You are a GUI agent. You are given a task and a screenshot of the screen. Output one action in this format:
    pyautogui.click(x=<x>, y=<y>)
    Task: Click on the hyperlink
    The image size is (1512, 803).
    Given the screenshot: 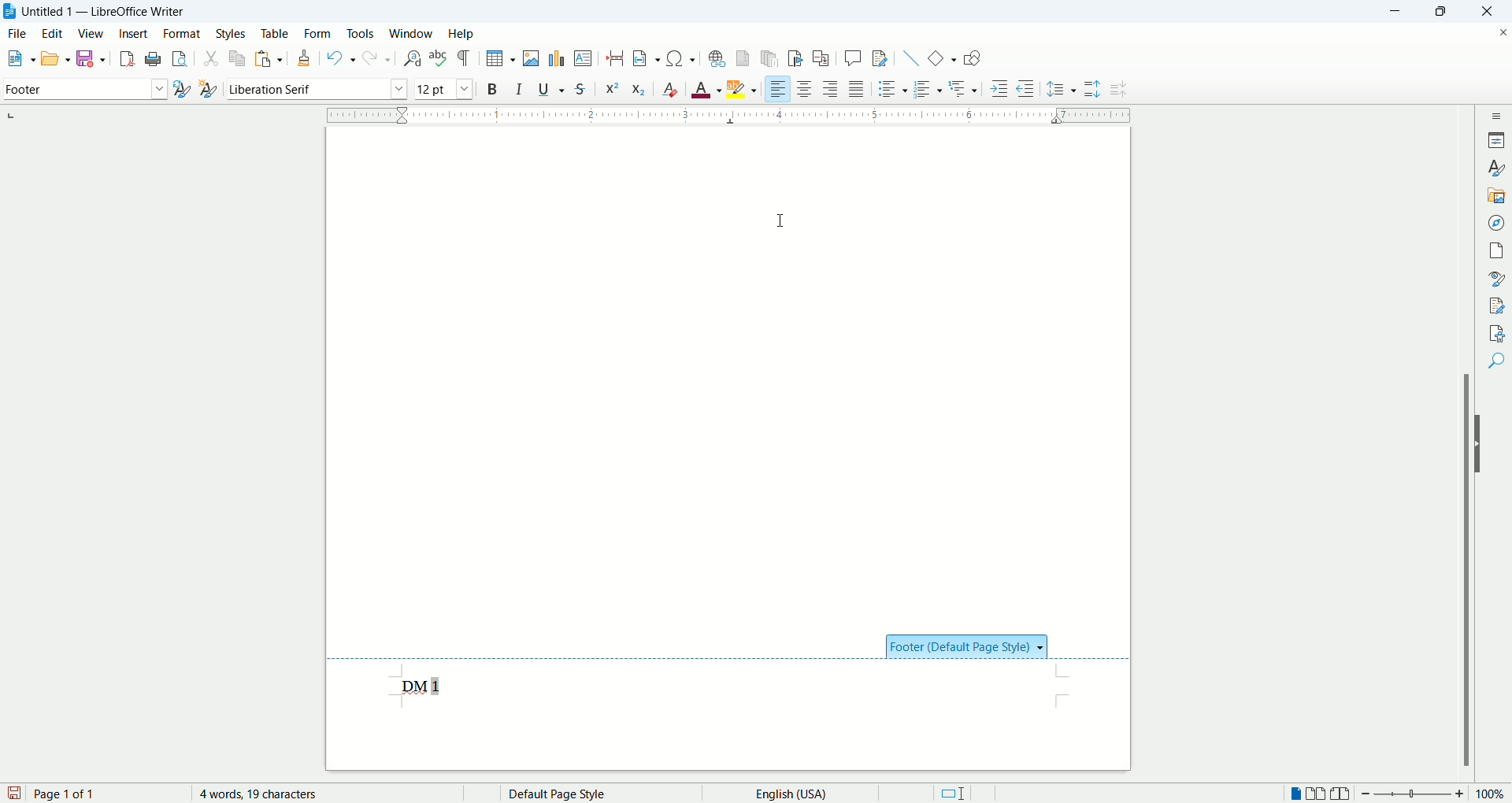 What is the action you would take?
    pyautogui.click(x=717, y=58)
    